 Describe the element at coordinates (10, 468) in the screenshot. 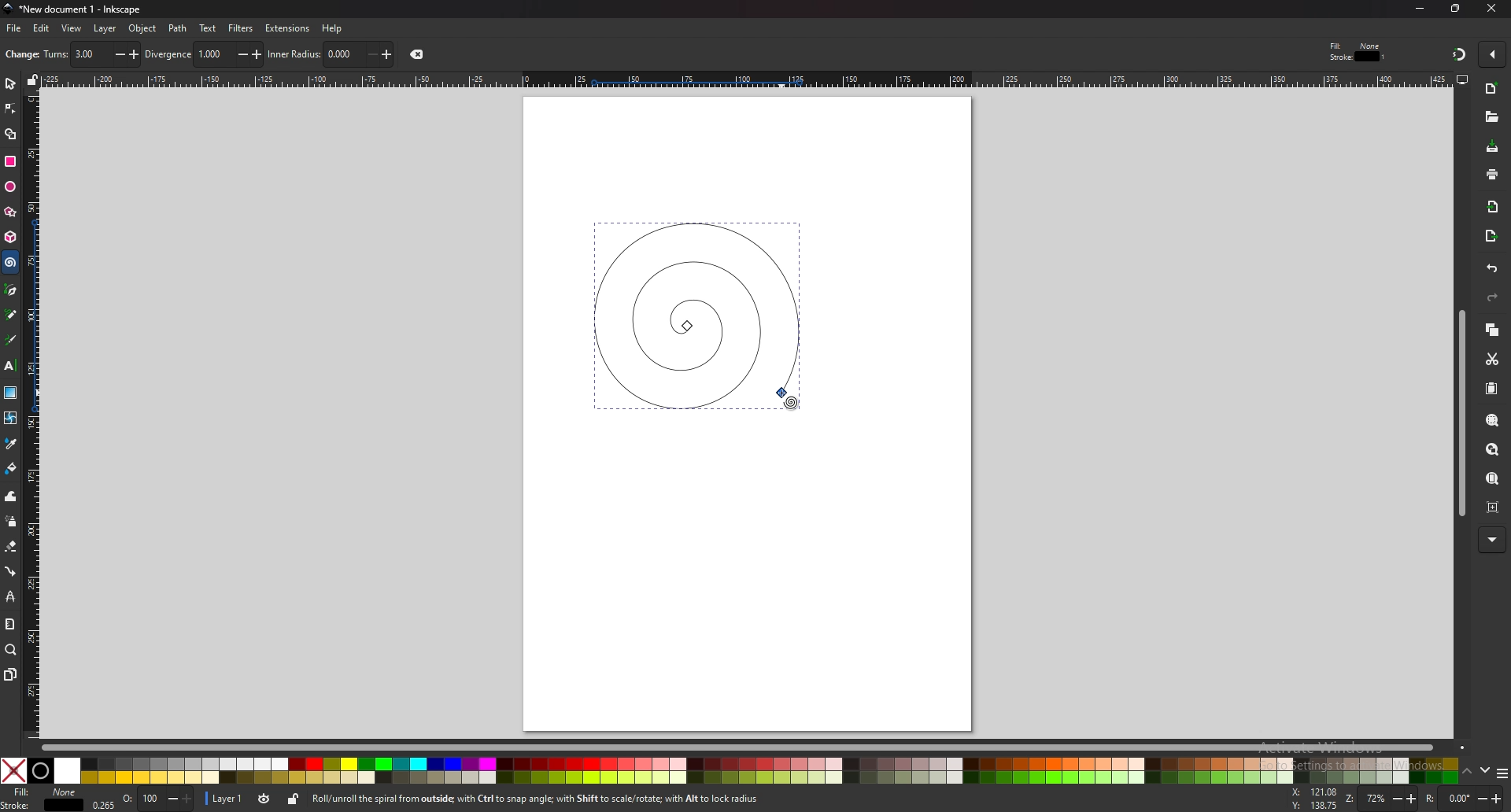

I see `paint bucket` at that location.